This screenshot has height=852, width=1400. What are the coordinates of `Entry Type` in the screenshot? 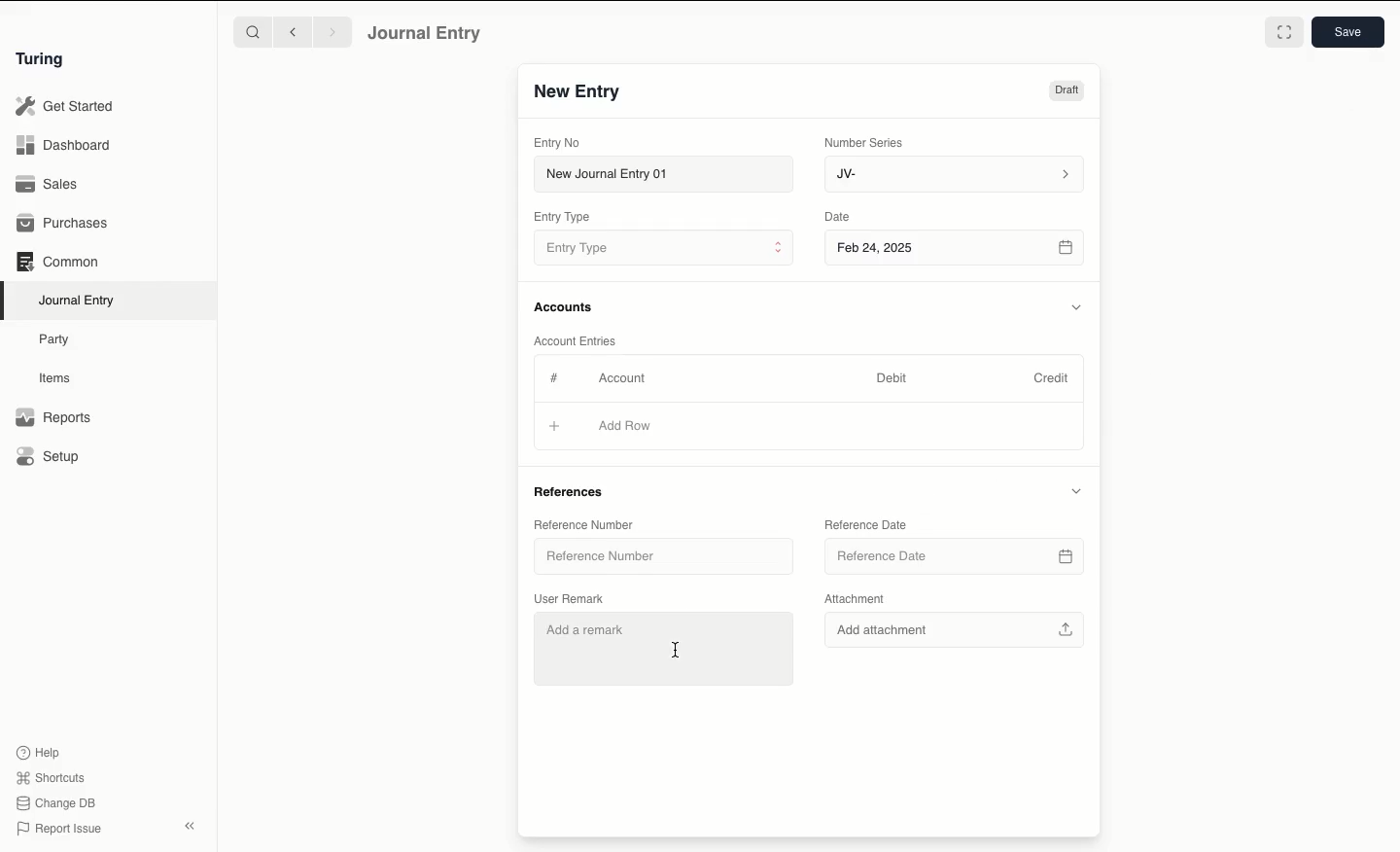 It's located at (562, 217).